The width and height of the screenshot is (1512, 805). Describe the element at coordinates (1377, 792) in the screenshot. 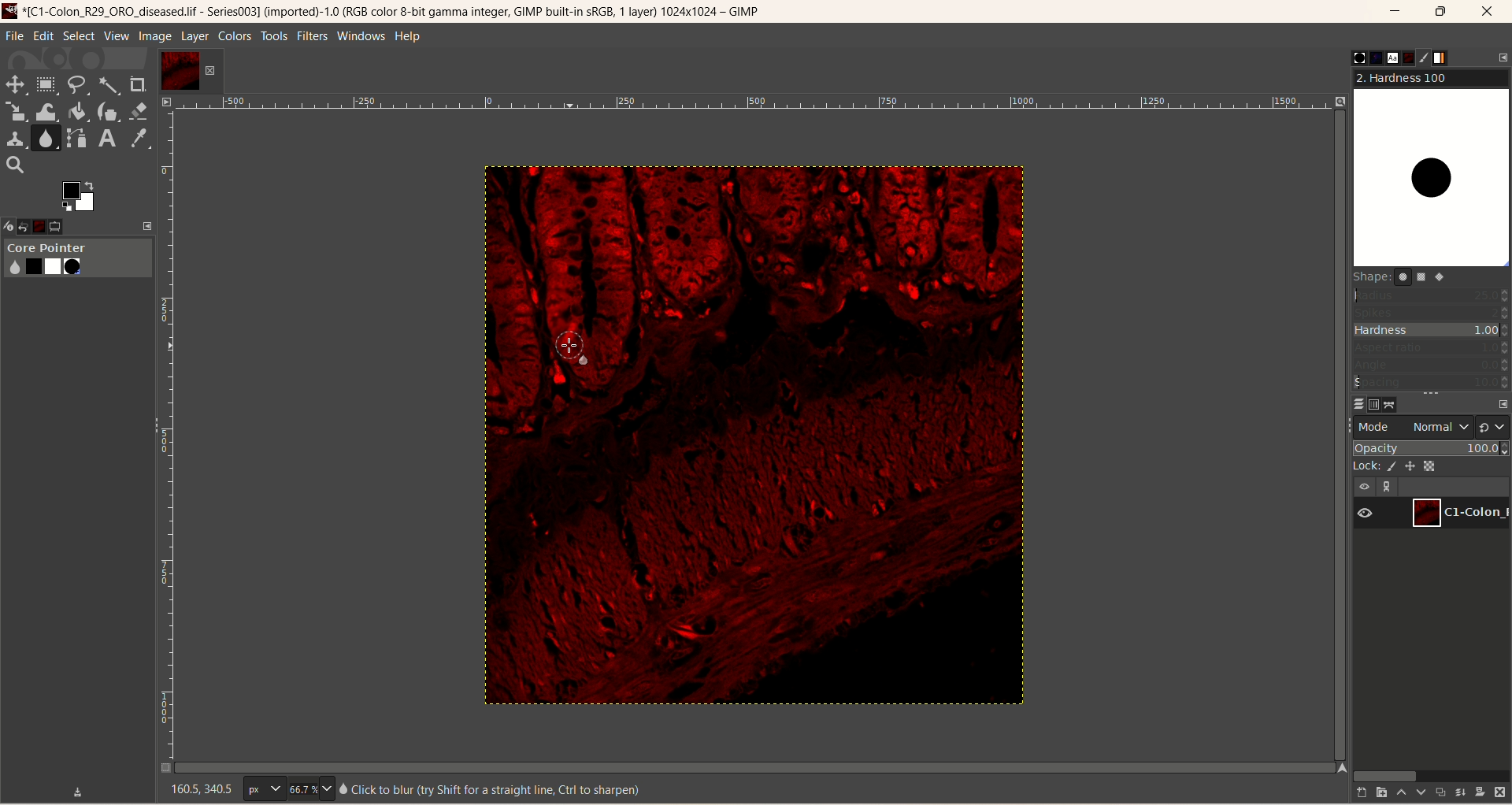

I see `create a new layer` at that location.